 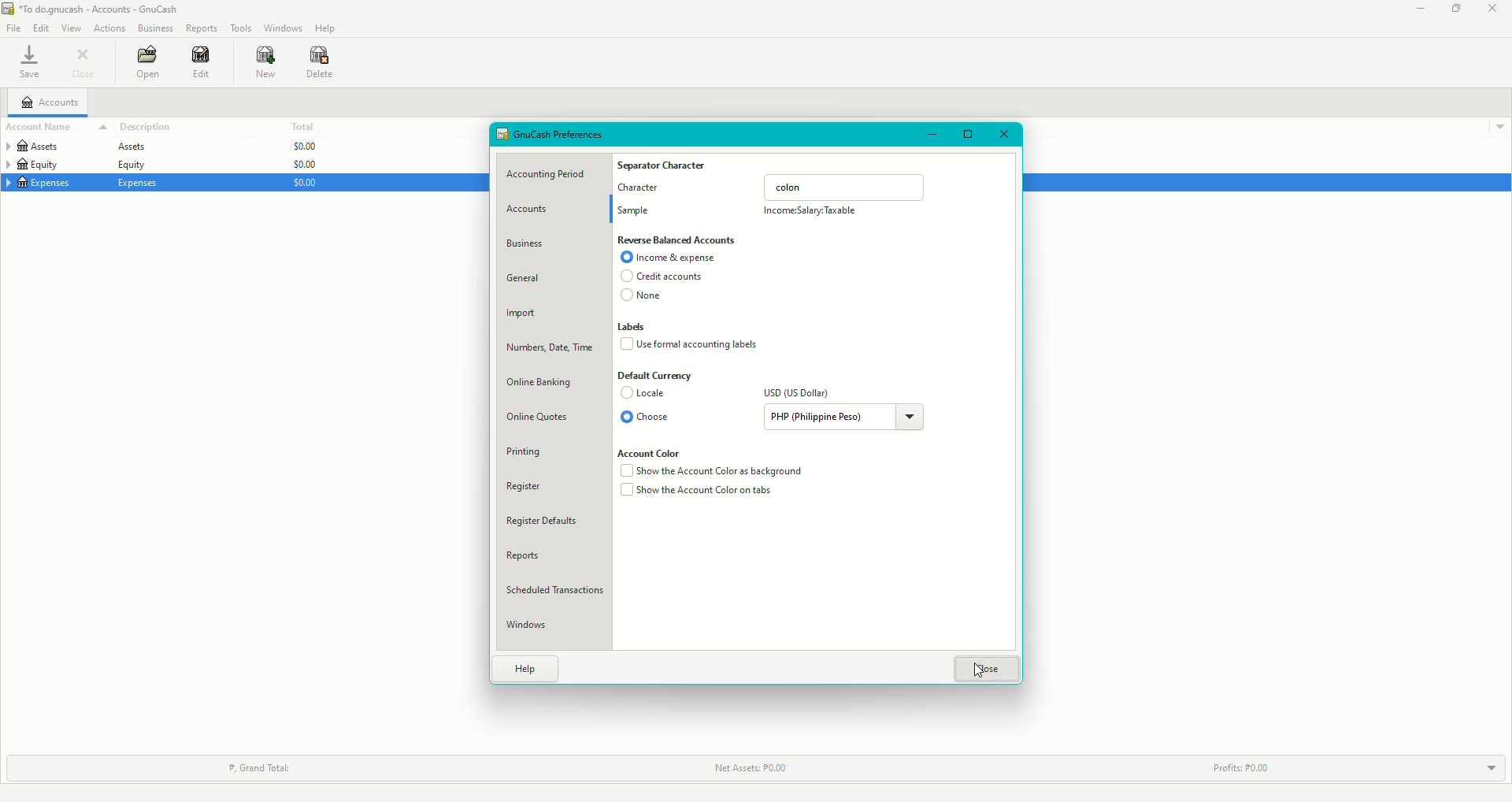 What do you see at coordinates (540, 382) in the screenshot?
I see `Online banking` at bounding box center [540, 382].